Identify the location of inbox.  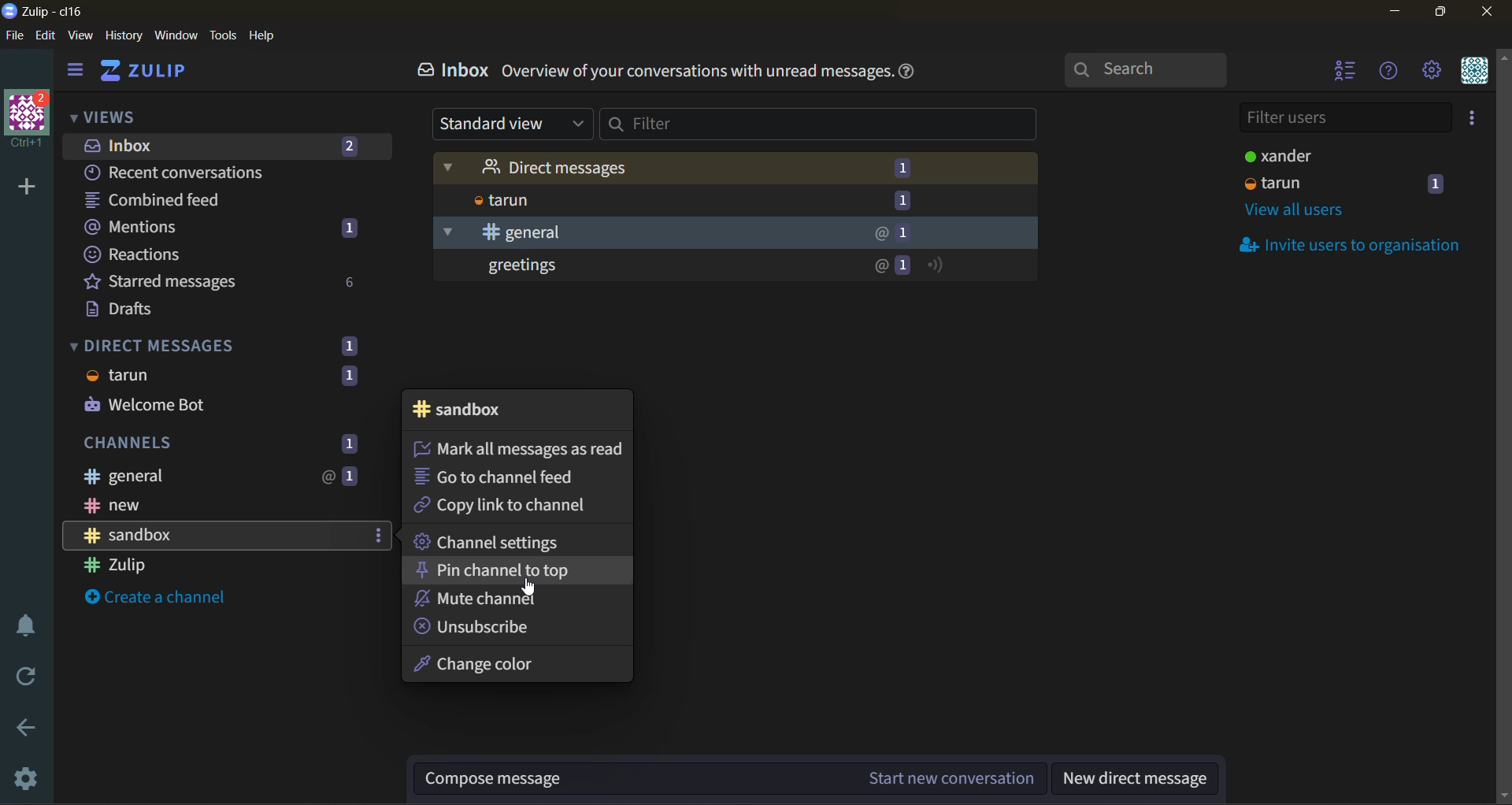
(458, 73).